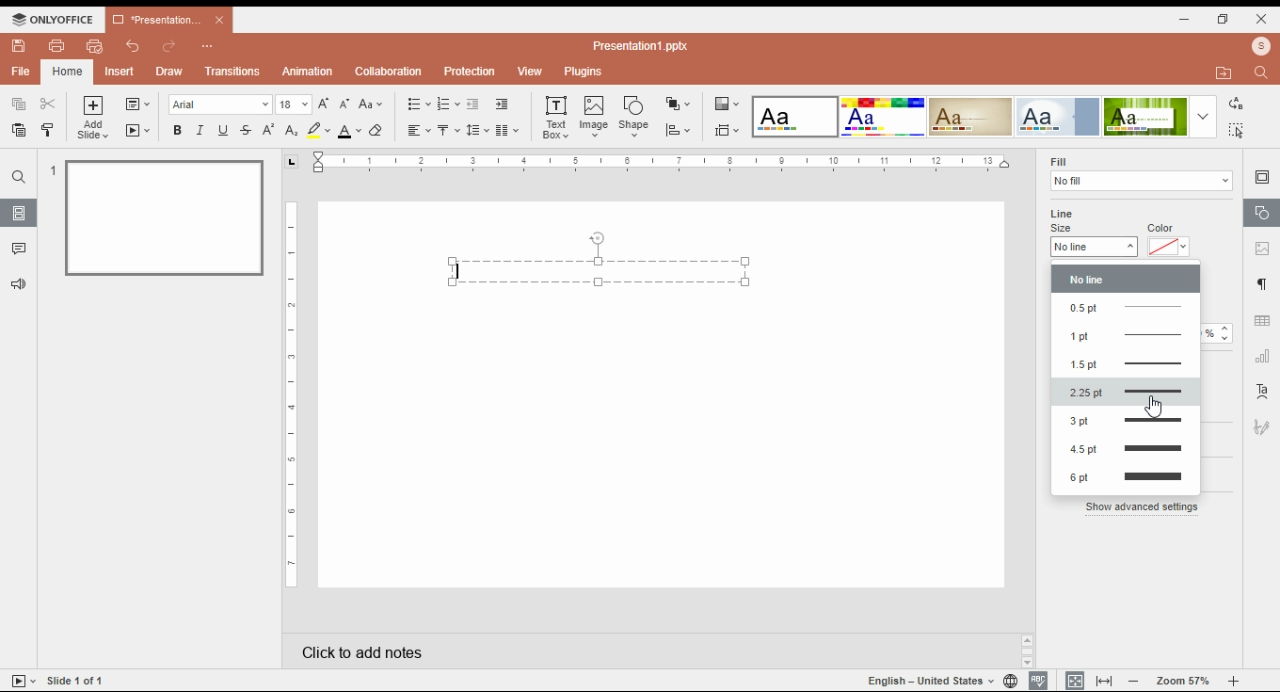 The image size is (1280, 692). Describe the element at coordinates (1234, 681) in the screenshot. I see `increase zoom` at that location.